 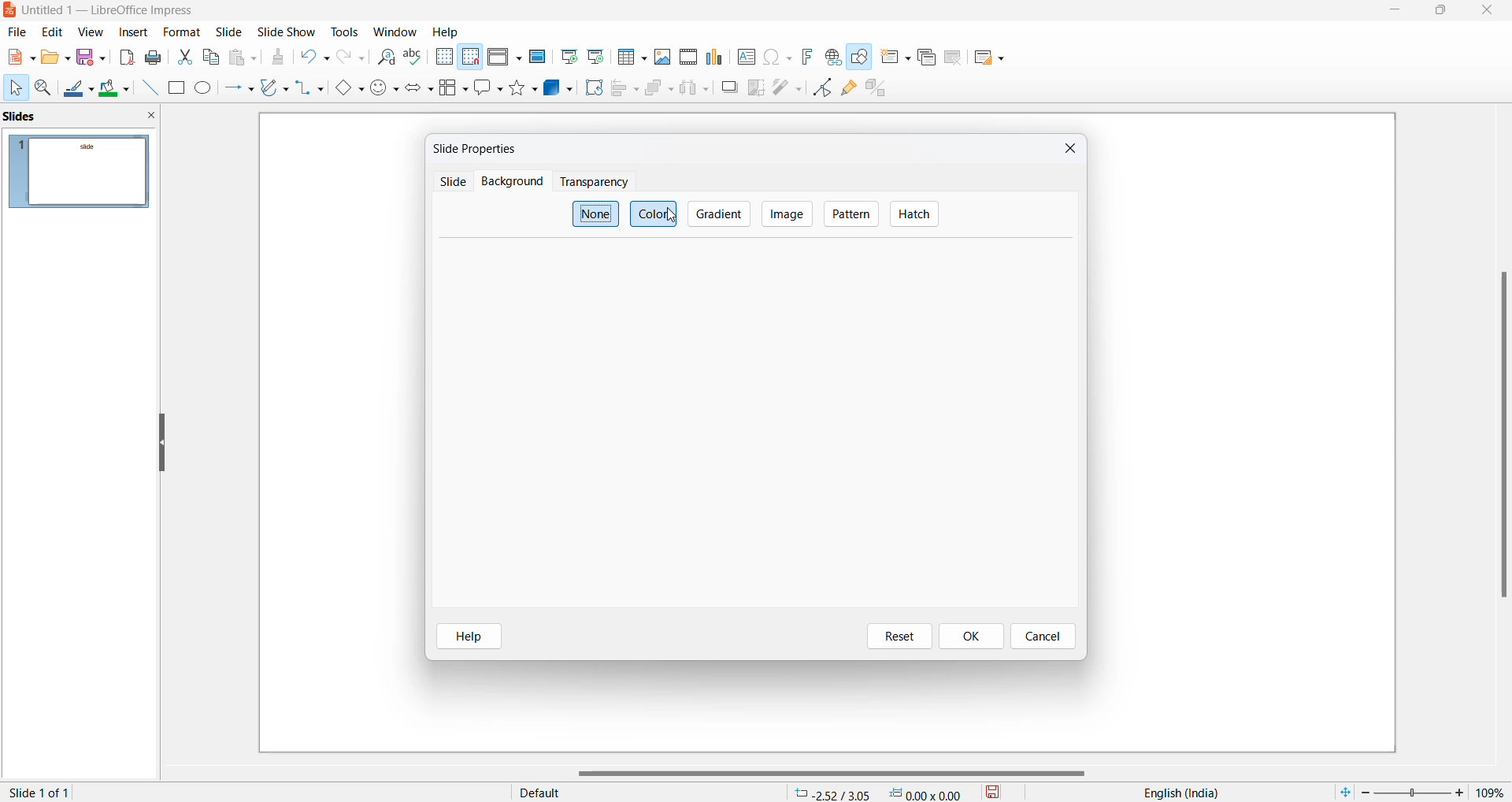 I want to click on object distribution, so click(x=696, y=89).